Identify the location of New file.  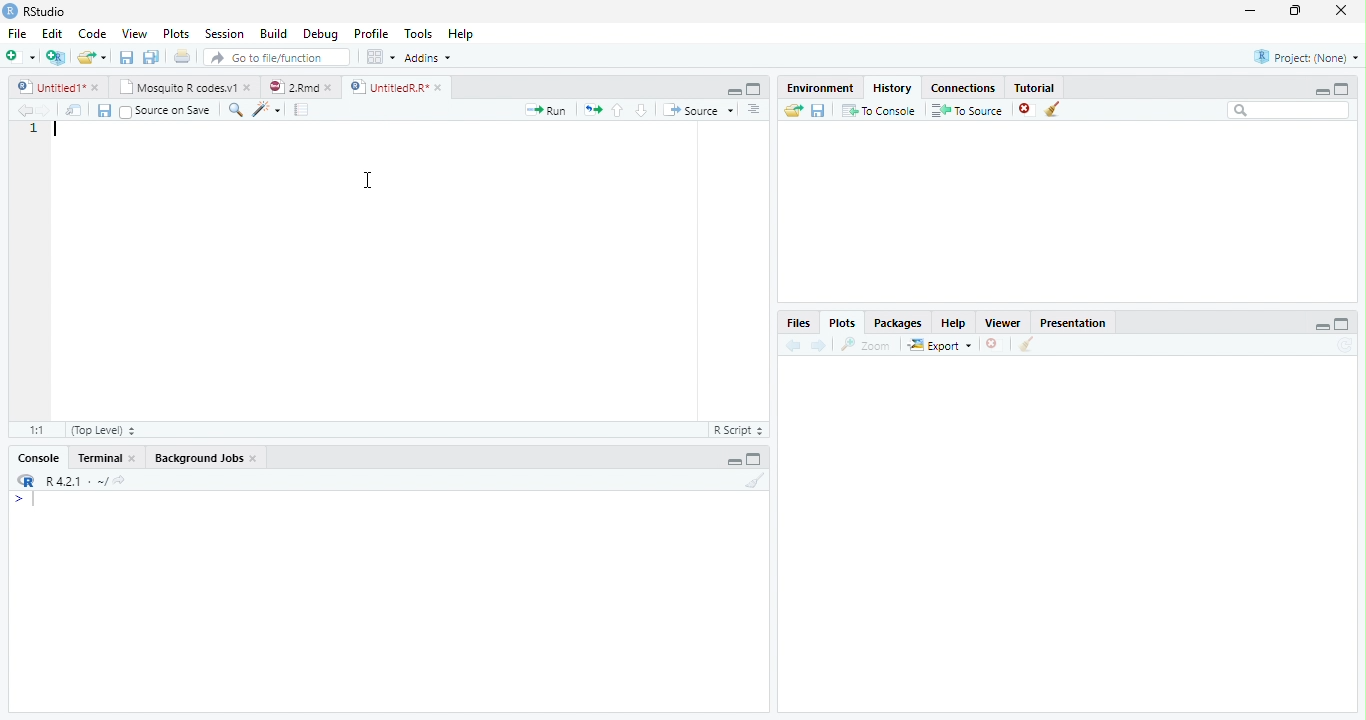
(20, 57).